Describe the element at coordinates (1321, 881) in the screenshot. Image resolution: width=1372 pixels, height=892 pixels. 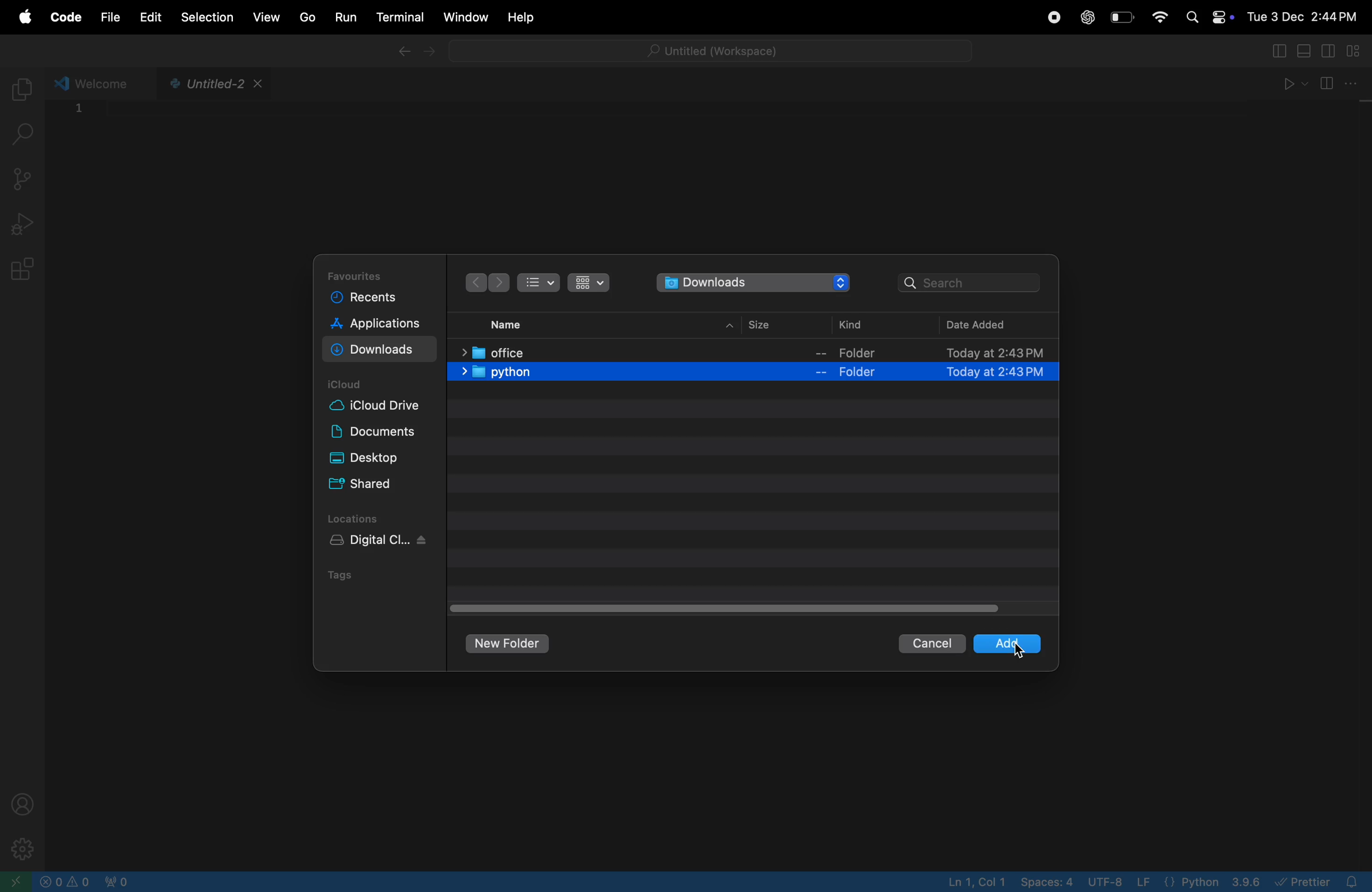
I see `prettier extensions` at that location.